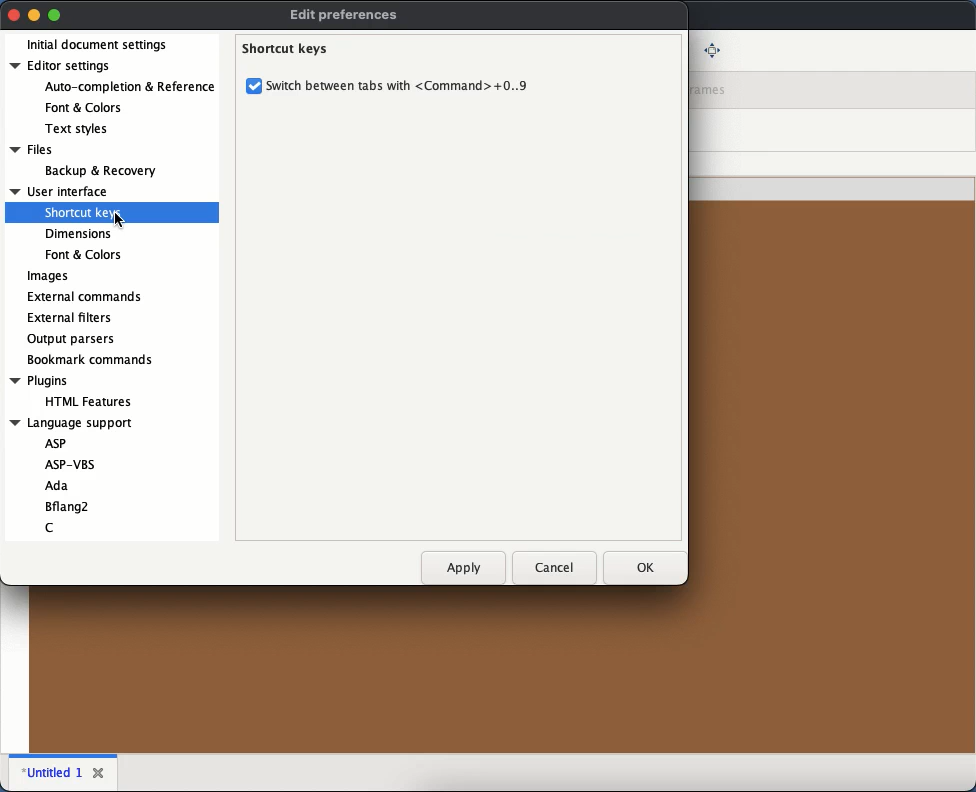 This screenshot has height=792, width=976. What do you see at coordinates (99, 45) in the screenshot?
I see `initial document settings` at bounding box center [99, 45].